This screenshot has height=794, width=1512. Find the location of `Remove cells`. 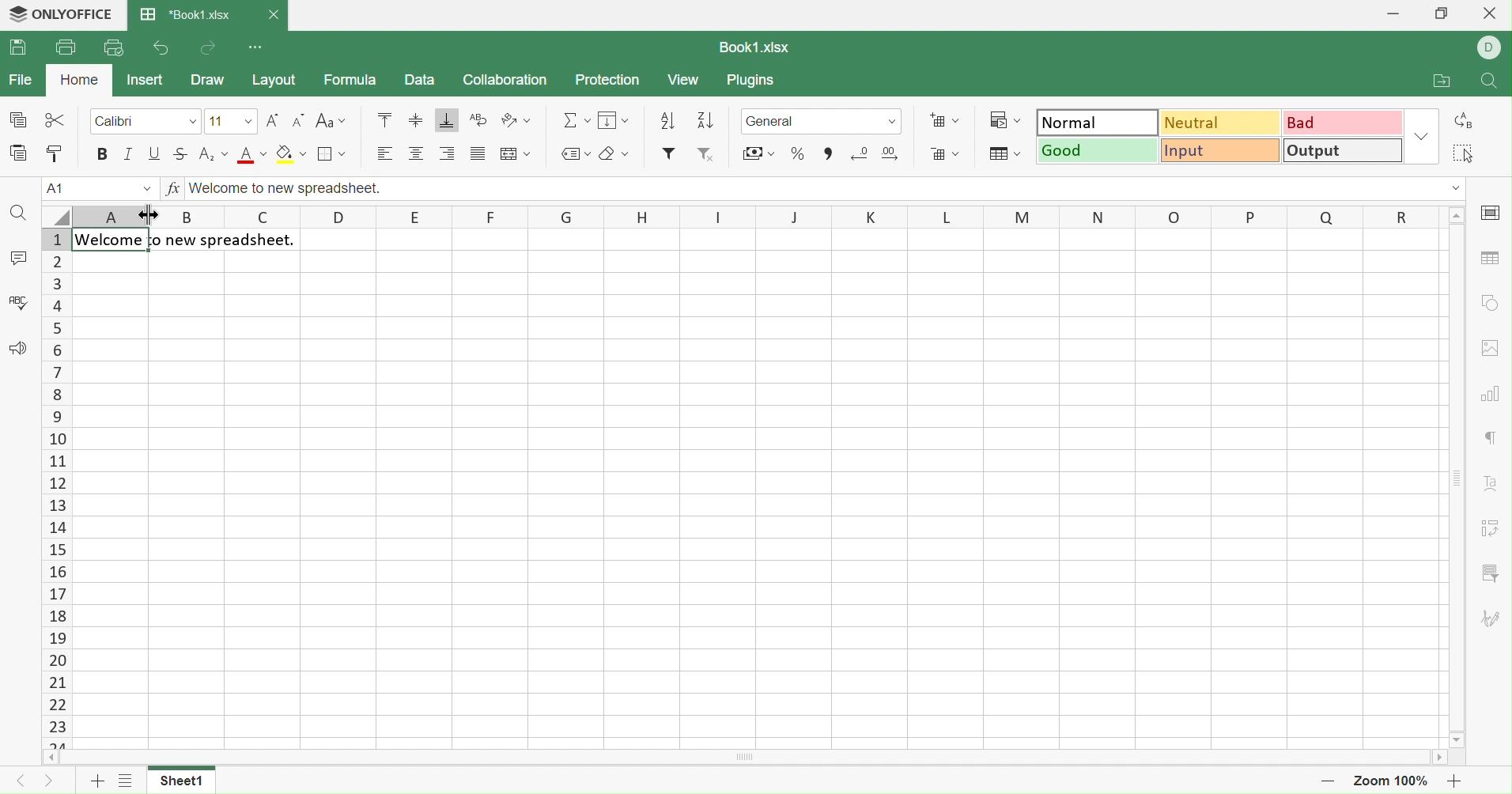

Remove cells is located at coordinates (946, 155).